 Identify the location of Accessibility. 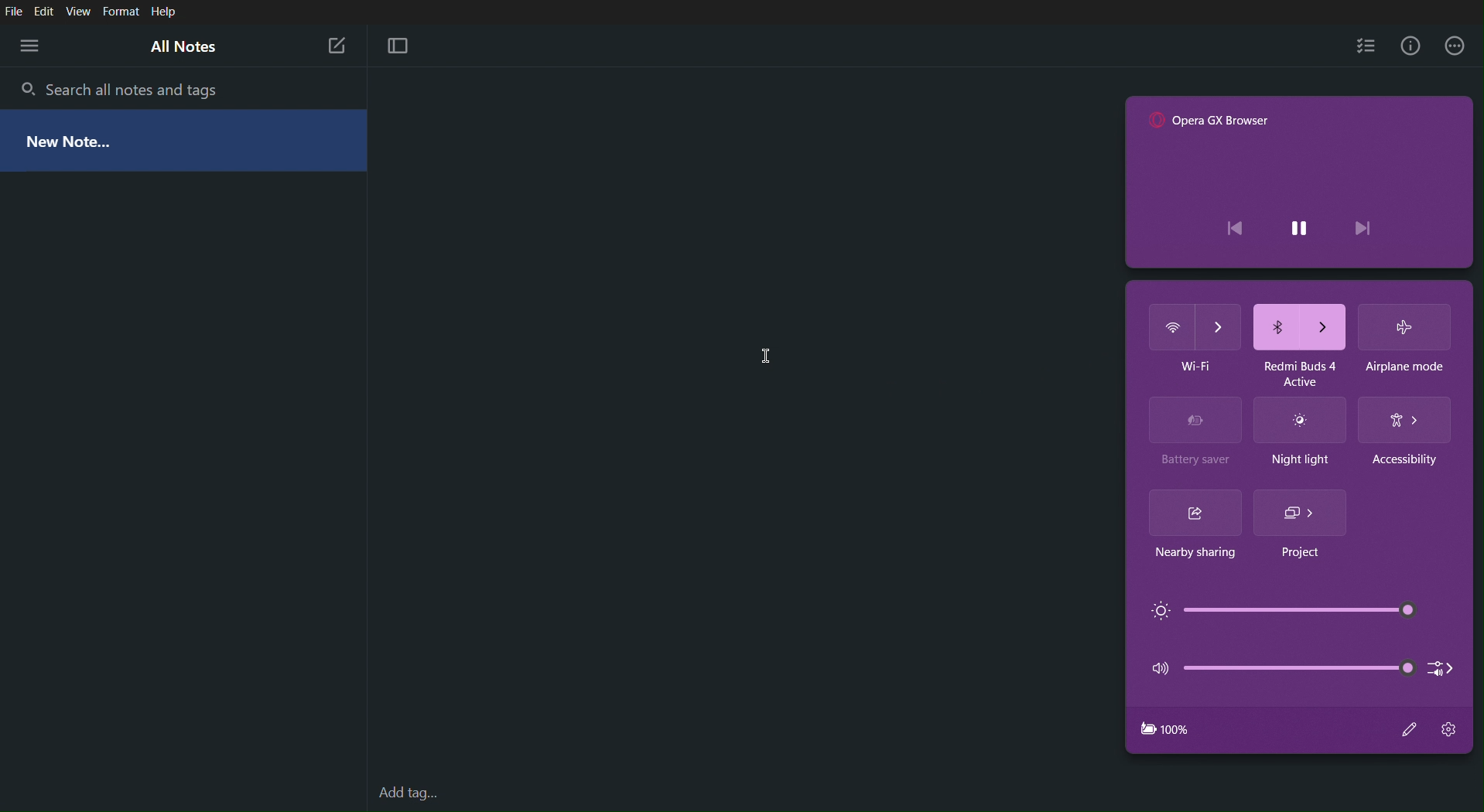
(1407, 466).